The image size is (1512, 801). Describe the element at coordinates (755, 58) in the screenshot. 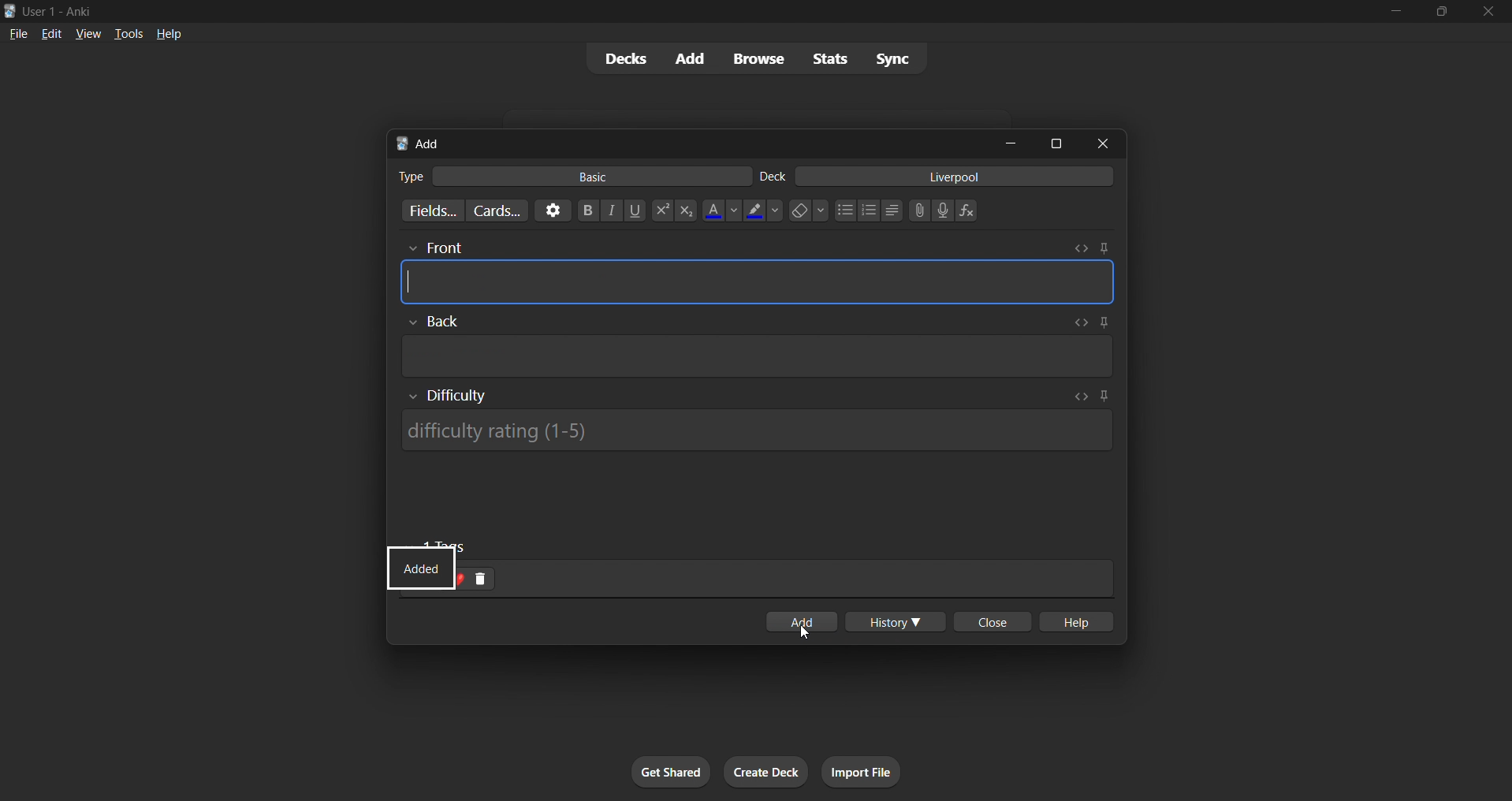

I see `browse` at that location.